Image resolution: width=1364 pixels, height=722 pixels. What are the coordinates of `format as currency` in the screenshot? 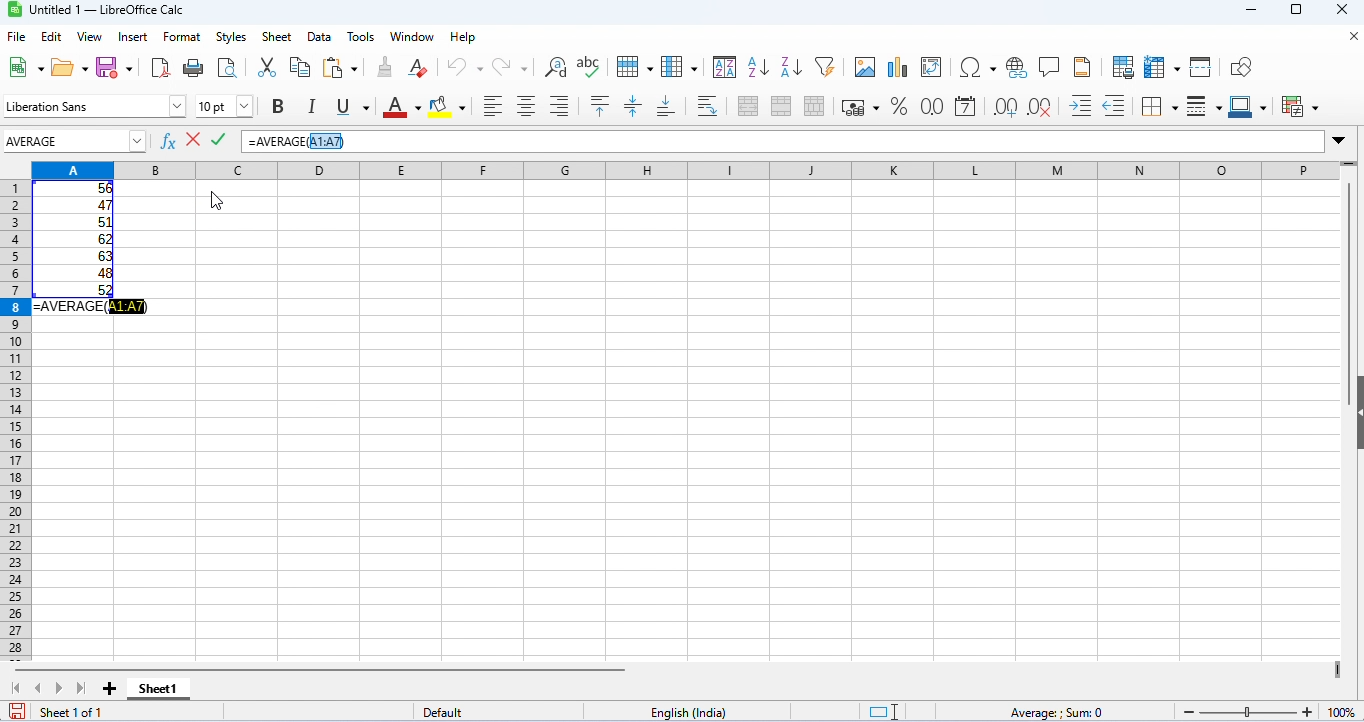 It's located at (860, 106).